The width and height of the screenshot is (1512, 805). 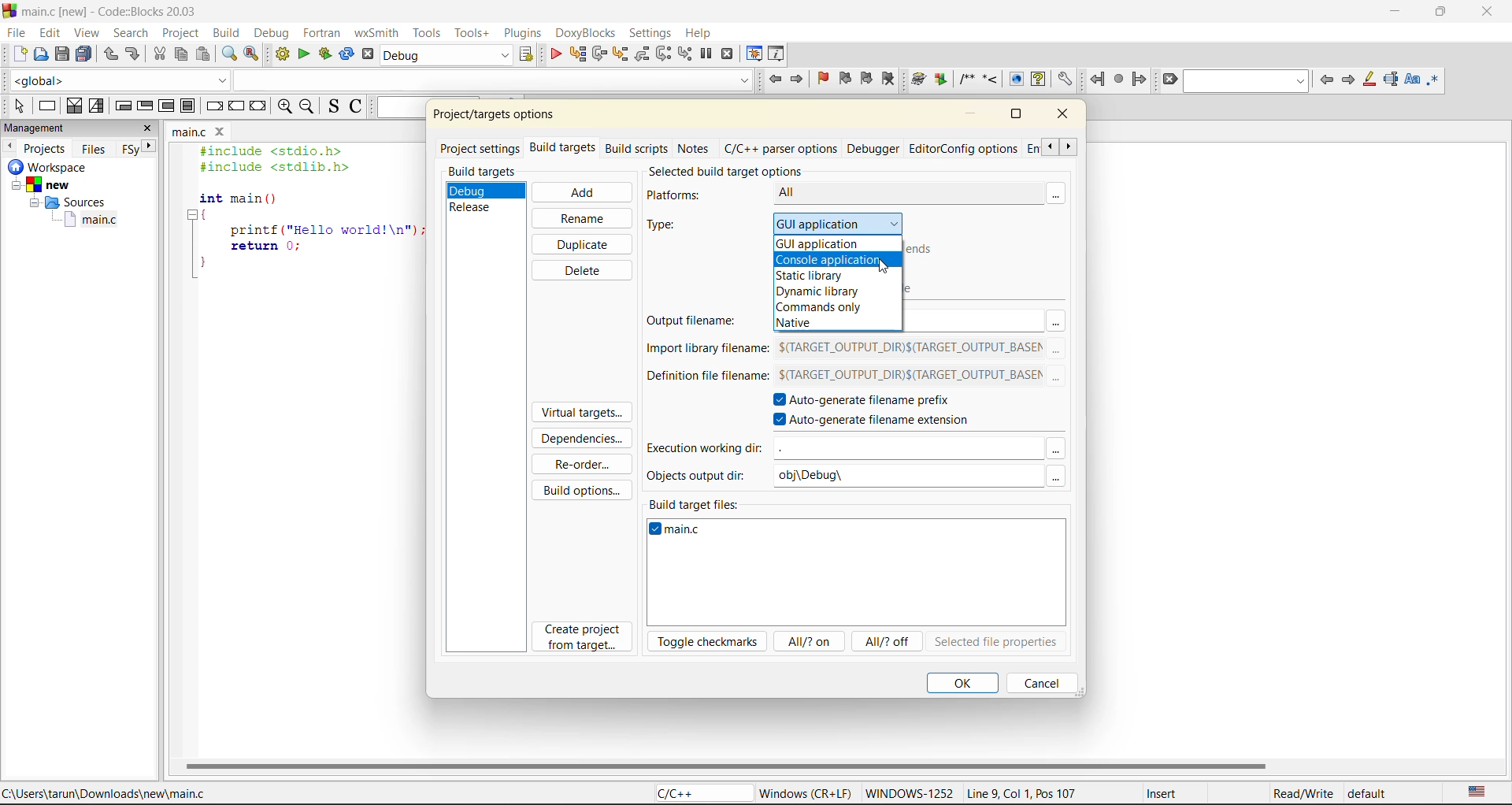 I want to click on entry condition loop, so click(x=125, y=106).